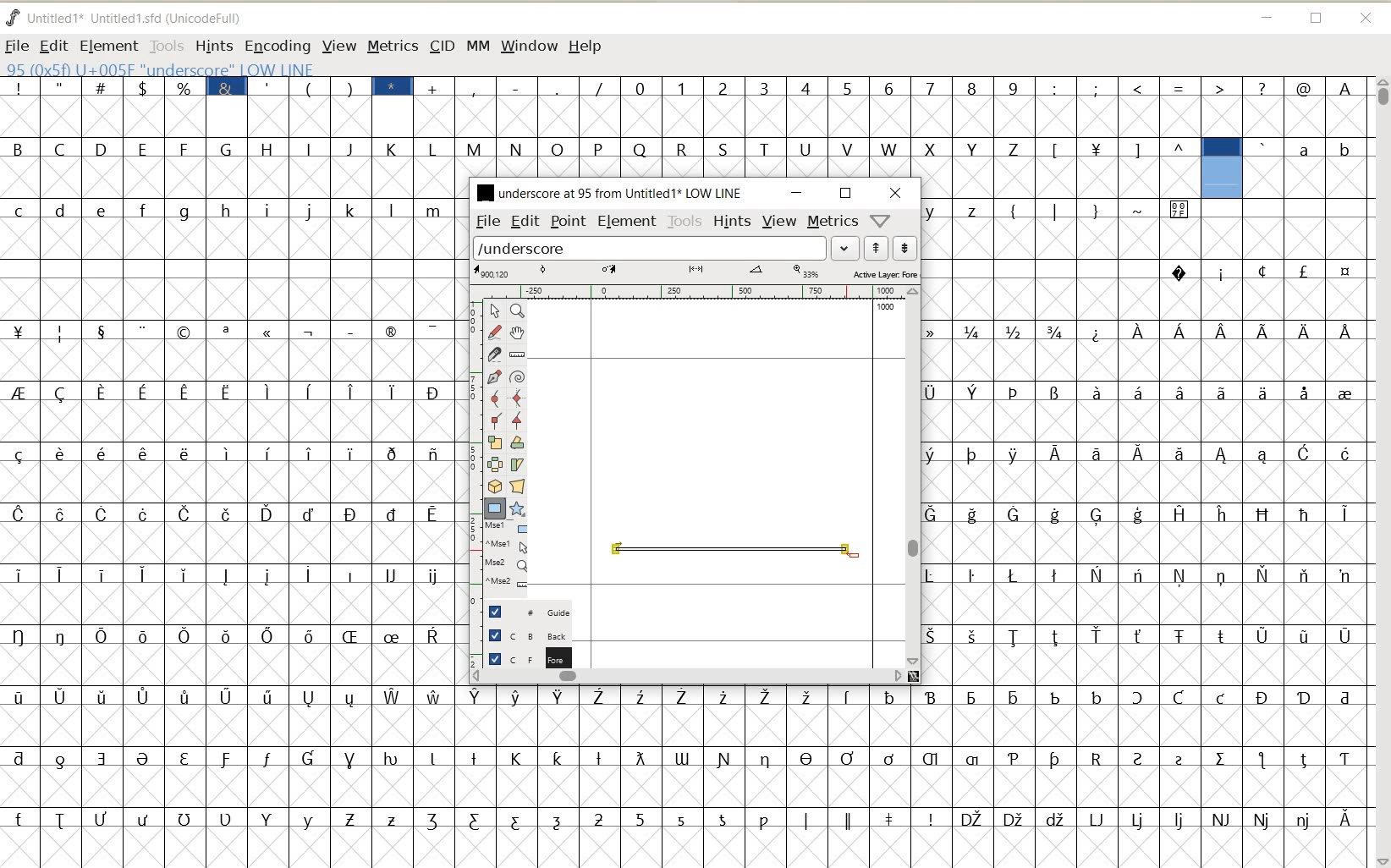  I want to click on RESTORE, so click(846, 194).